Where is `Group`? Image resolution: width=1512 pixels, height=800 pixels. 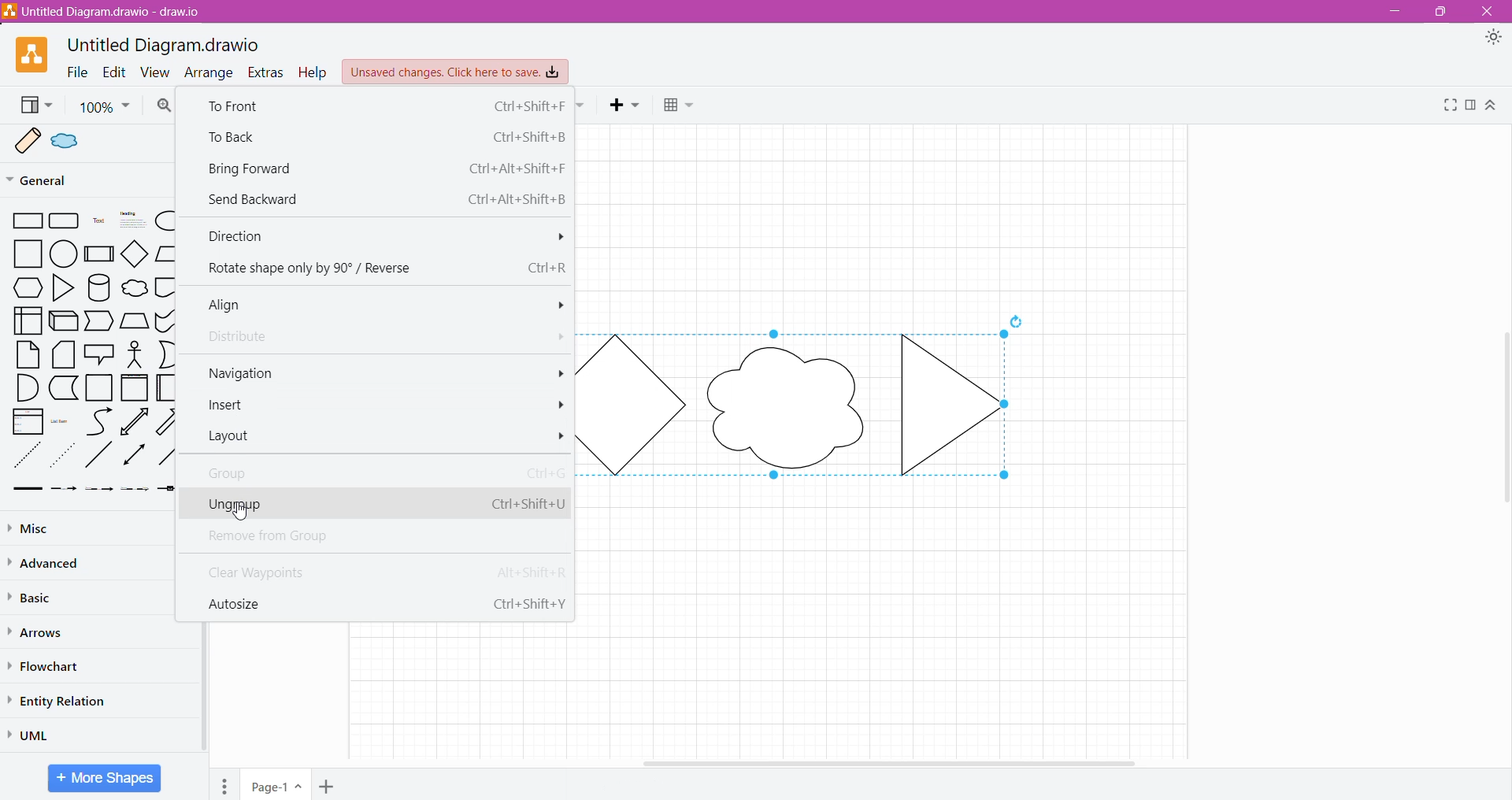 Group is located at coordinates (239, 472).